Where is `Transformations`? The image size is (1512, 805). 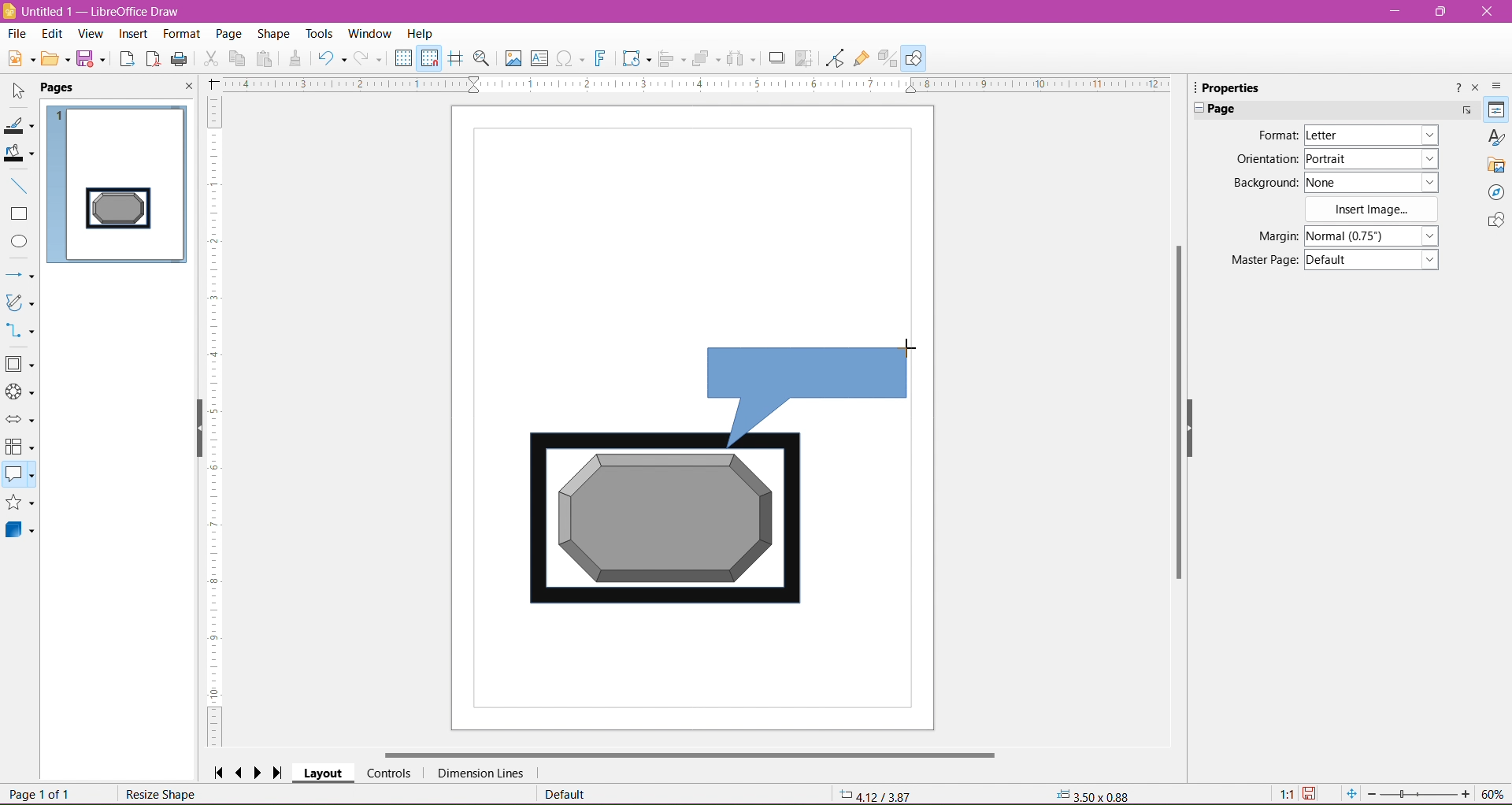 Transformations is located at coordinates (636, 60).